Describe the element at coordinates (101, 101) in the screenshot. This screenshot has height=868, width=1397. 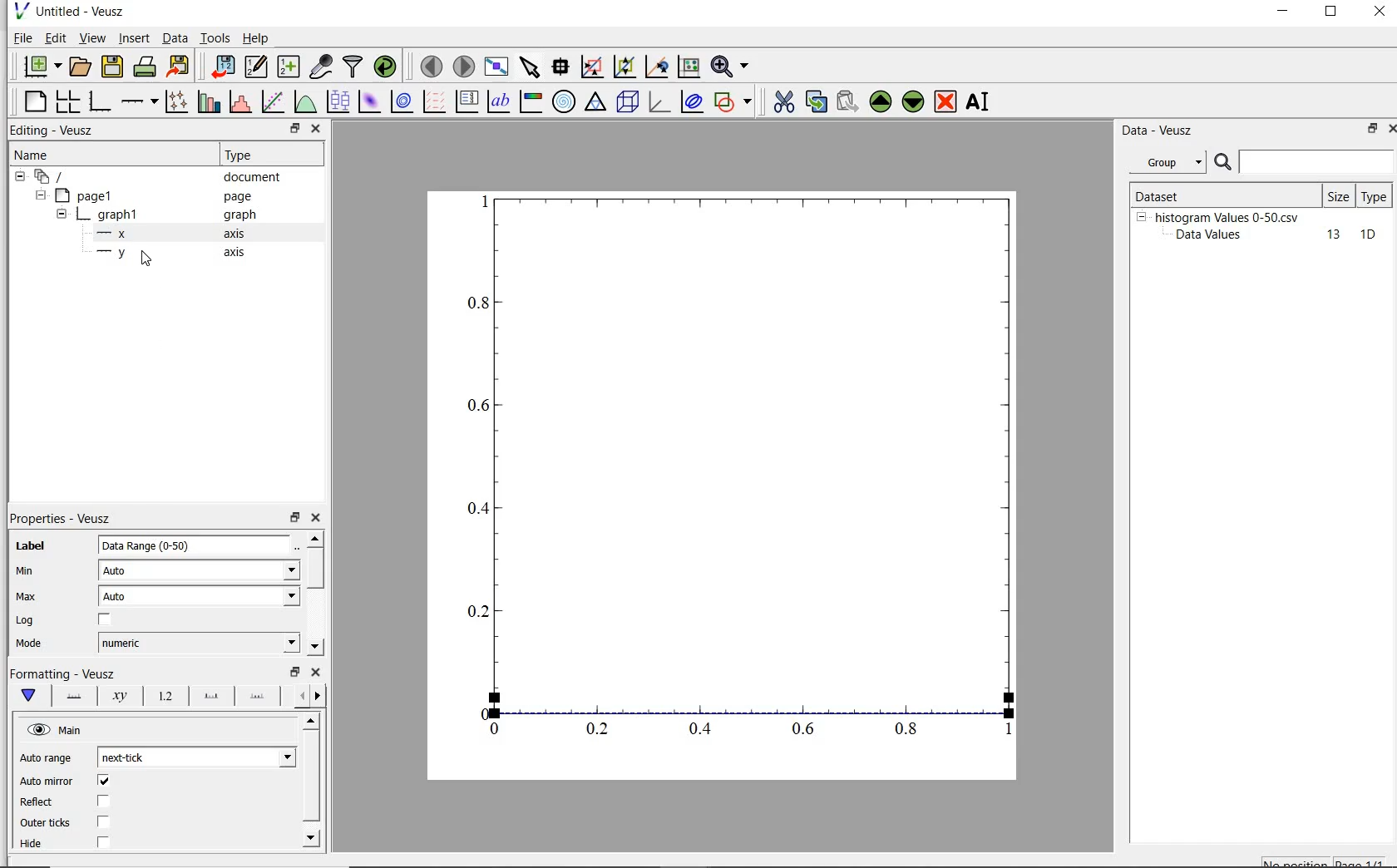
I see `base graph` at that location.